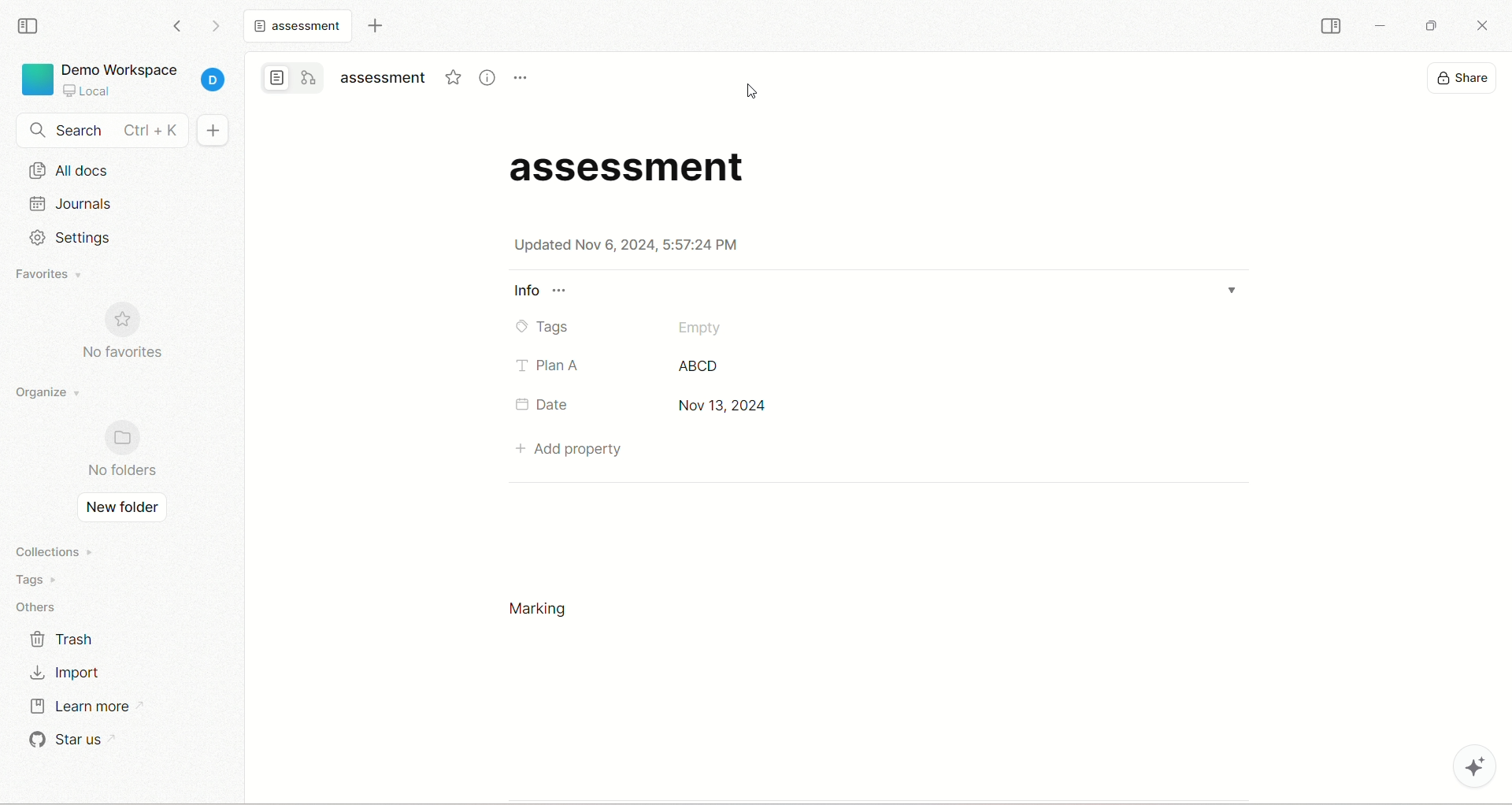 Image resolution: width=1512 pixels, height=805 pixels. What do you see at coordinates (1466, 78) in the screenshot?
I see `share` at bounding box center [1466, 78].